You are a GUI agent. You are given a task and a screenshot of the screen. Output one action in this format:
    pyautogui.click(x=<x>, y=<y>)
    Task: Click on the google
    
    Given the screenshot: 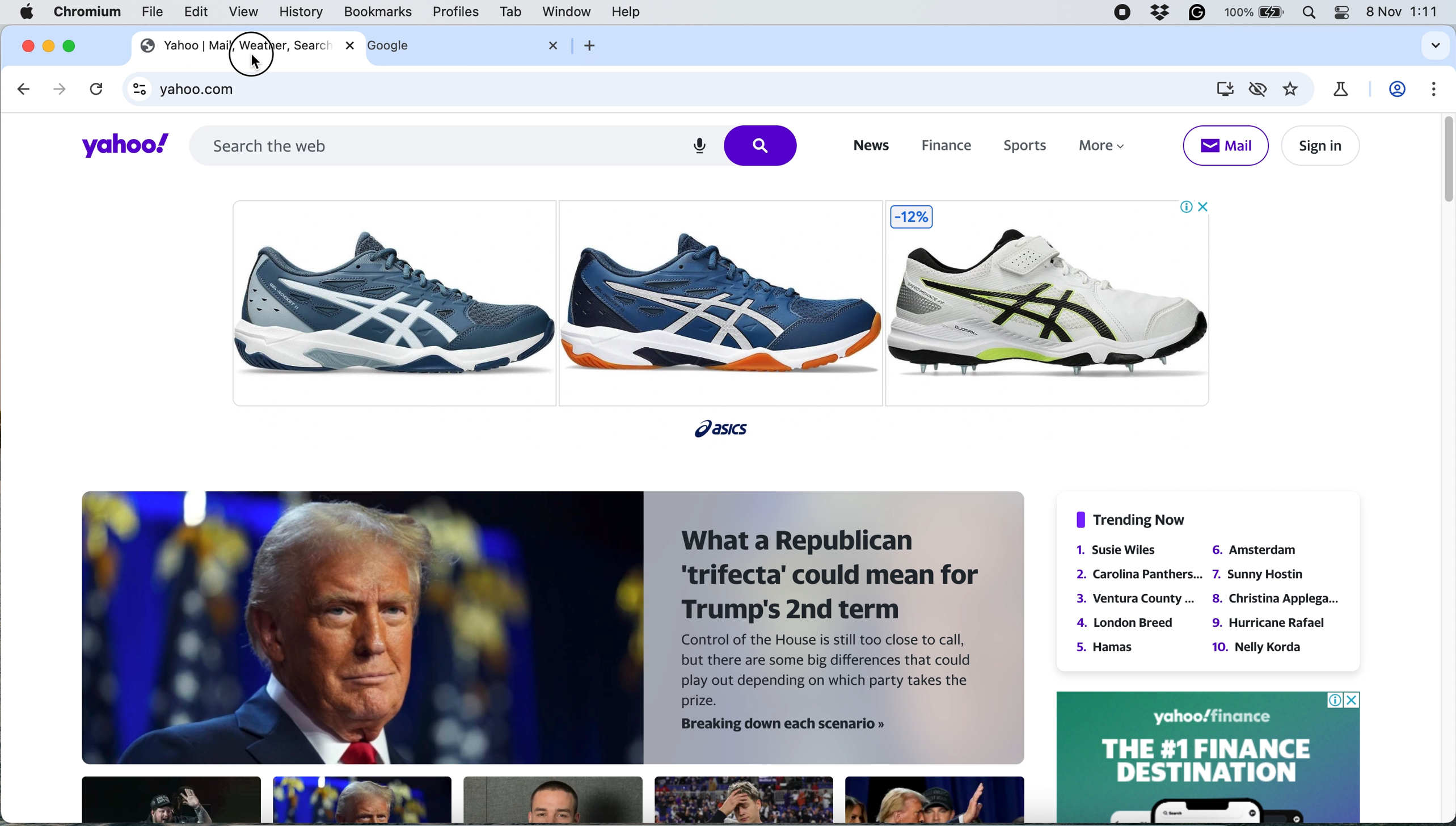 What is the action you would take?
    pyautogui.click(x=406, y=46)
    